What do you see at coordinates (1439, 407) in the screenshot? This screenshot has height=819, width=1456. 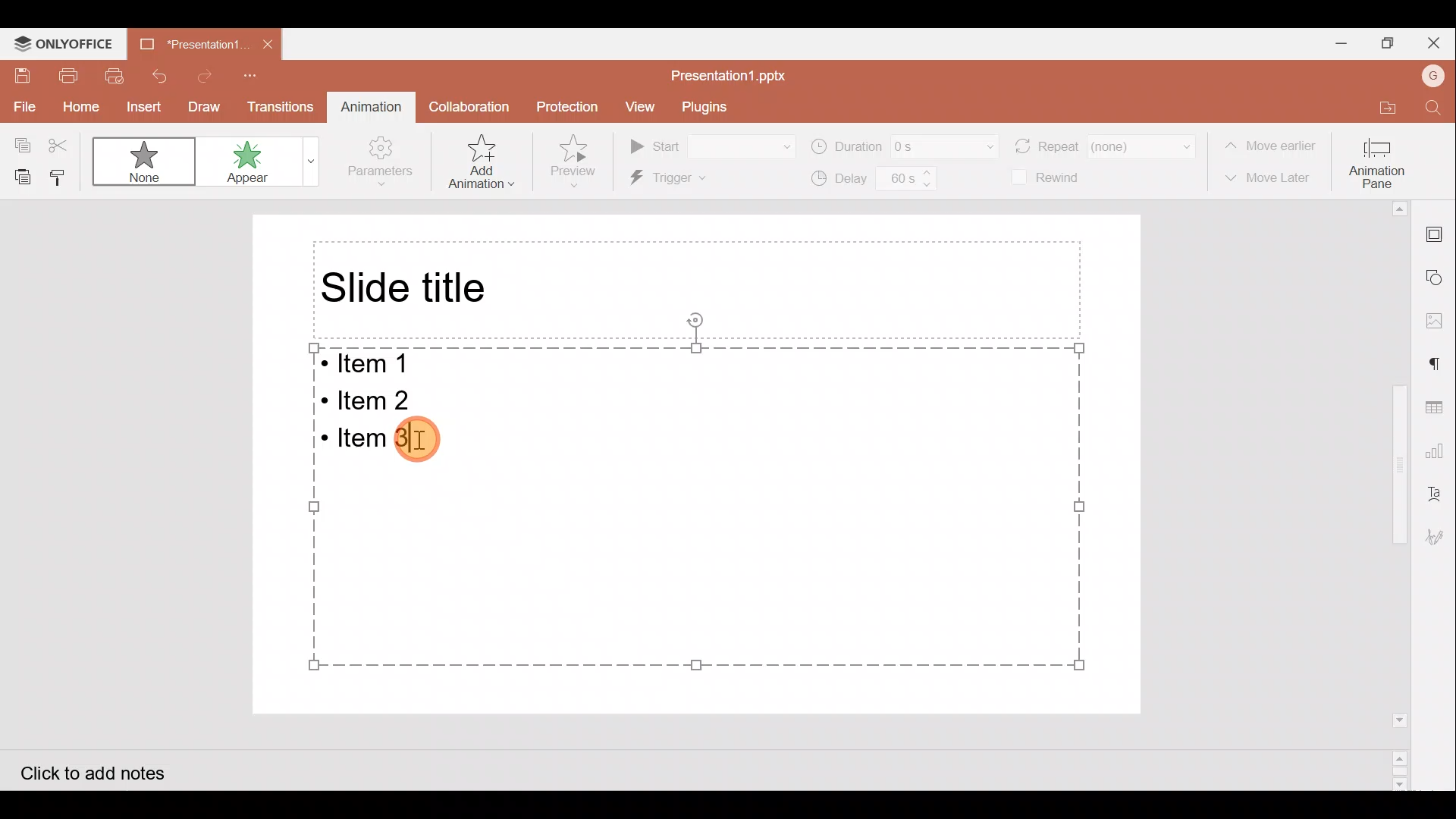 I see `Table settings` at bounding box center [1439, 407].